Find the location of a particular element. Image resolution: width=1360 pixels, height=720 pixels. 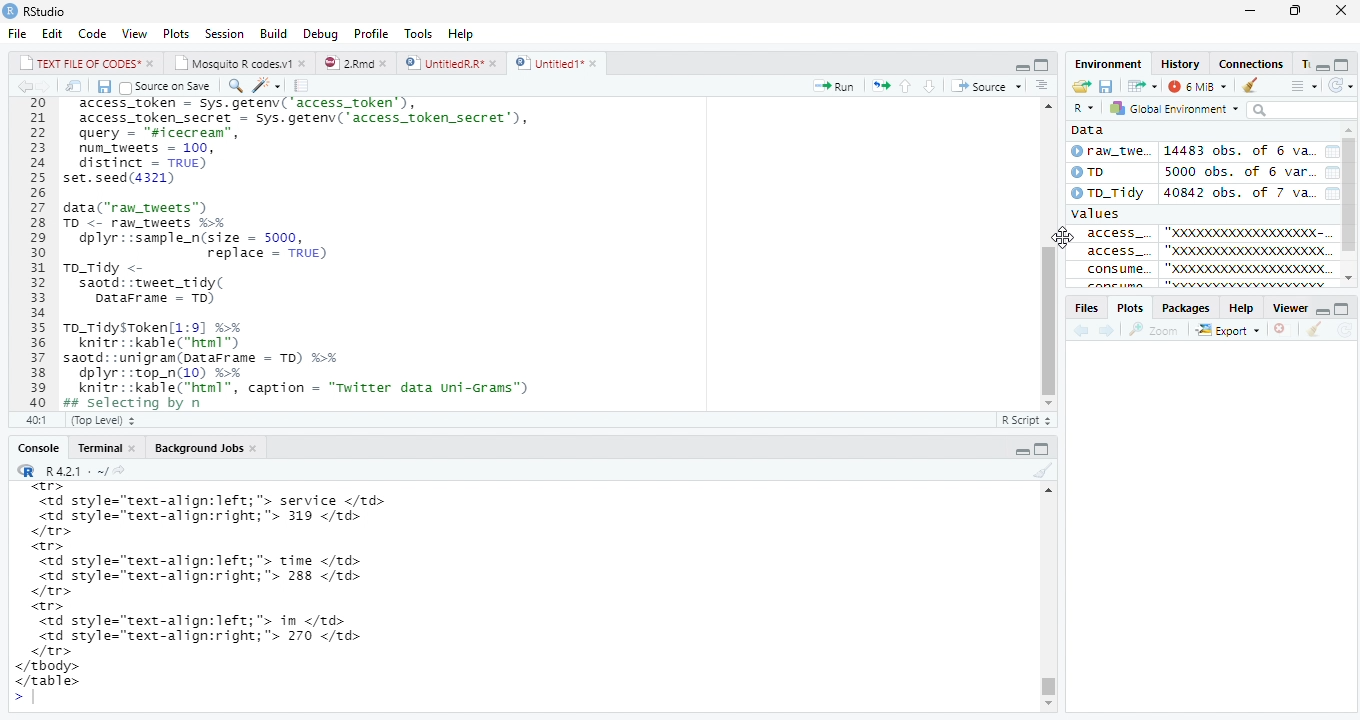

clear console is located at coordinates (1039, 471).